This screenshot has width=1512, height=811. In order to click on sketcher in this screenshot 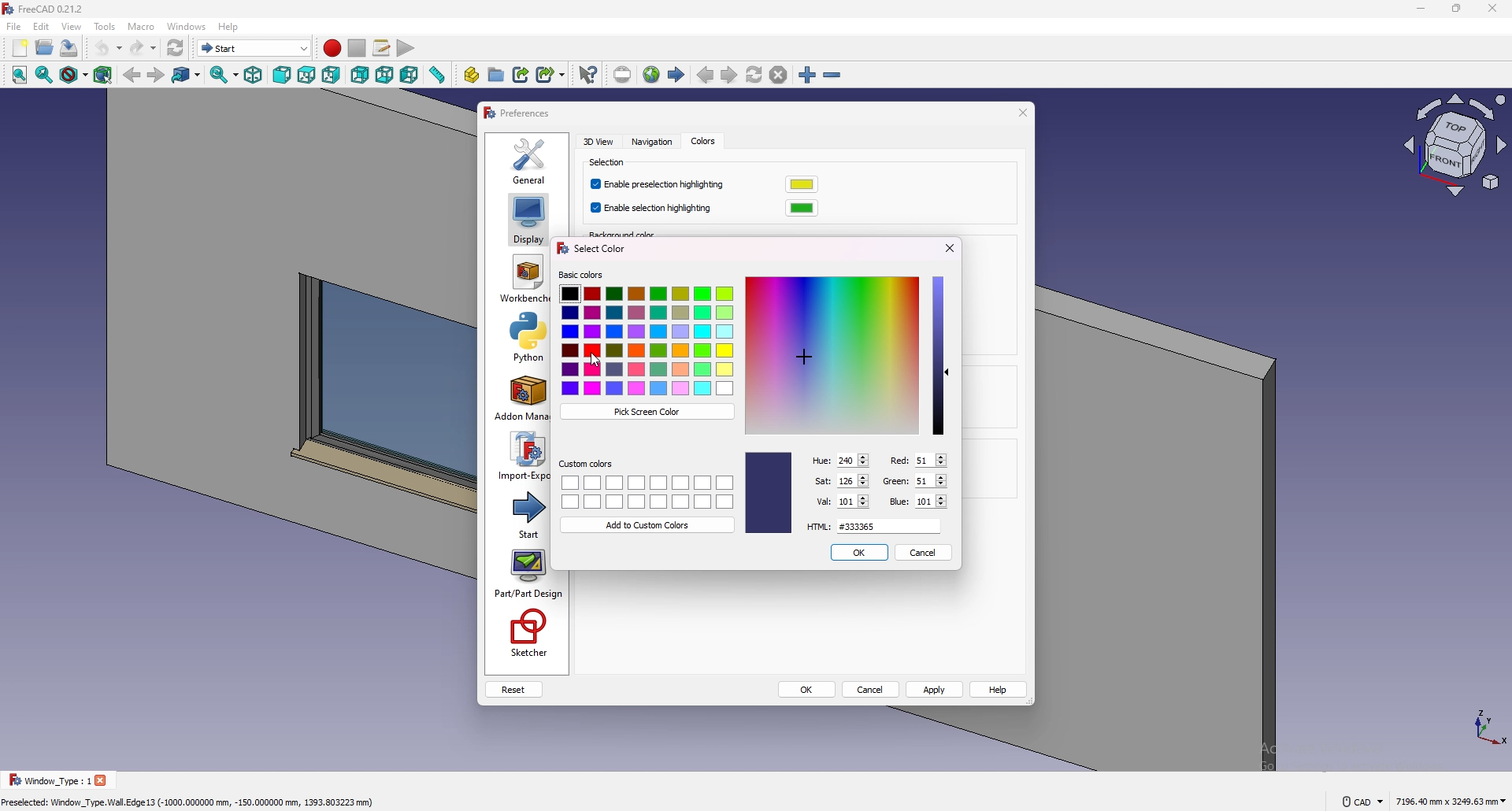, I will do `click(527, 634)`.